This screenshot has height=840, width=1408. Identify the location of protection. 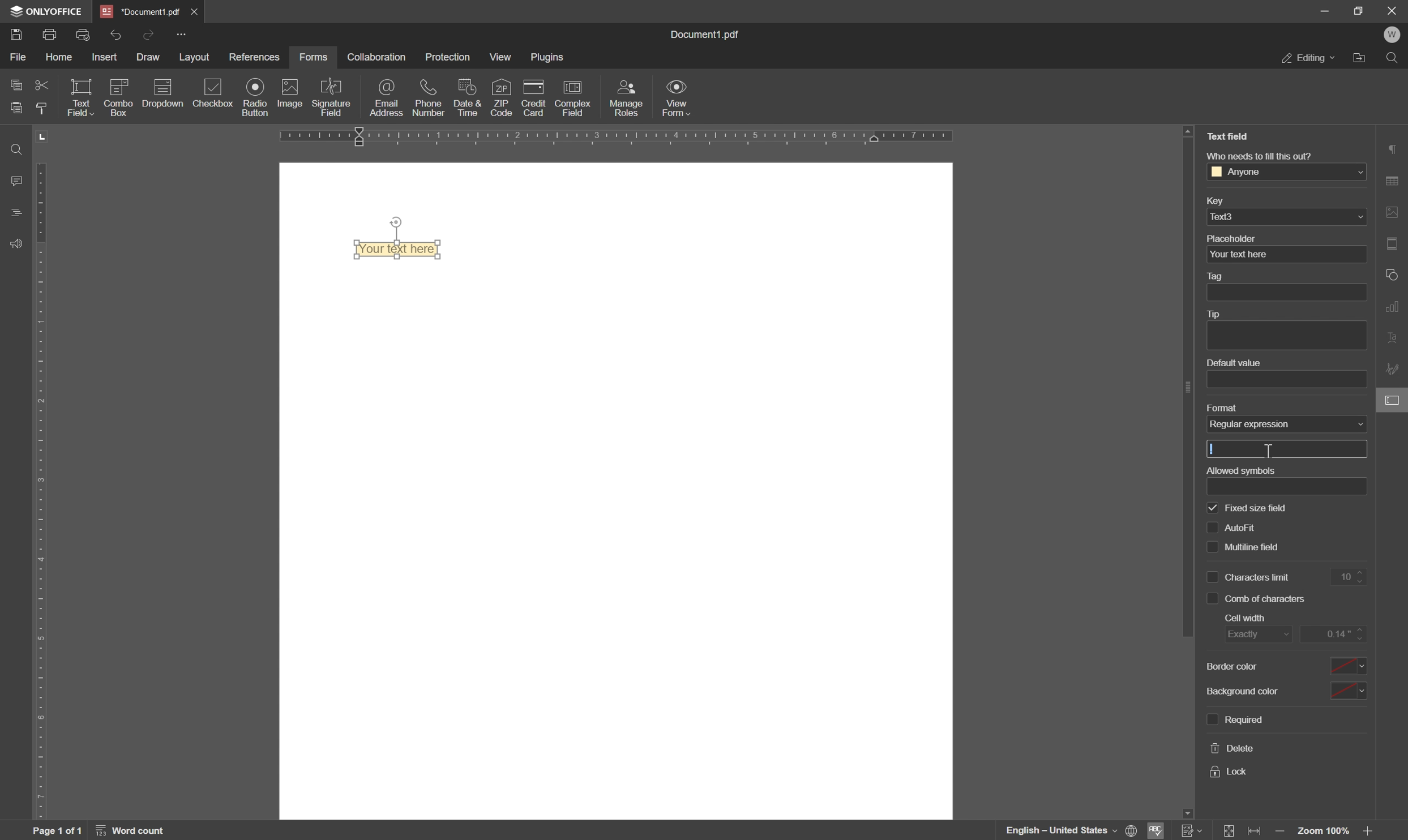
(449, 55).